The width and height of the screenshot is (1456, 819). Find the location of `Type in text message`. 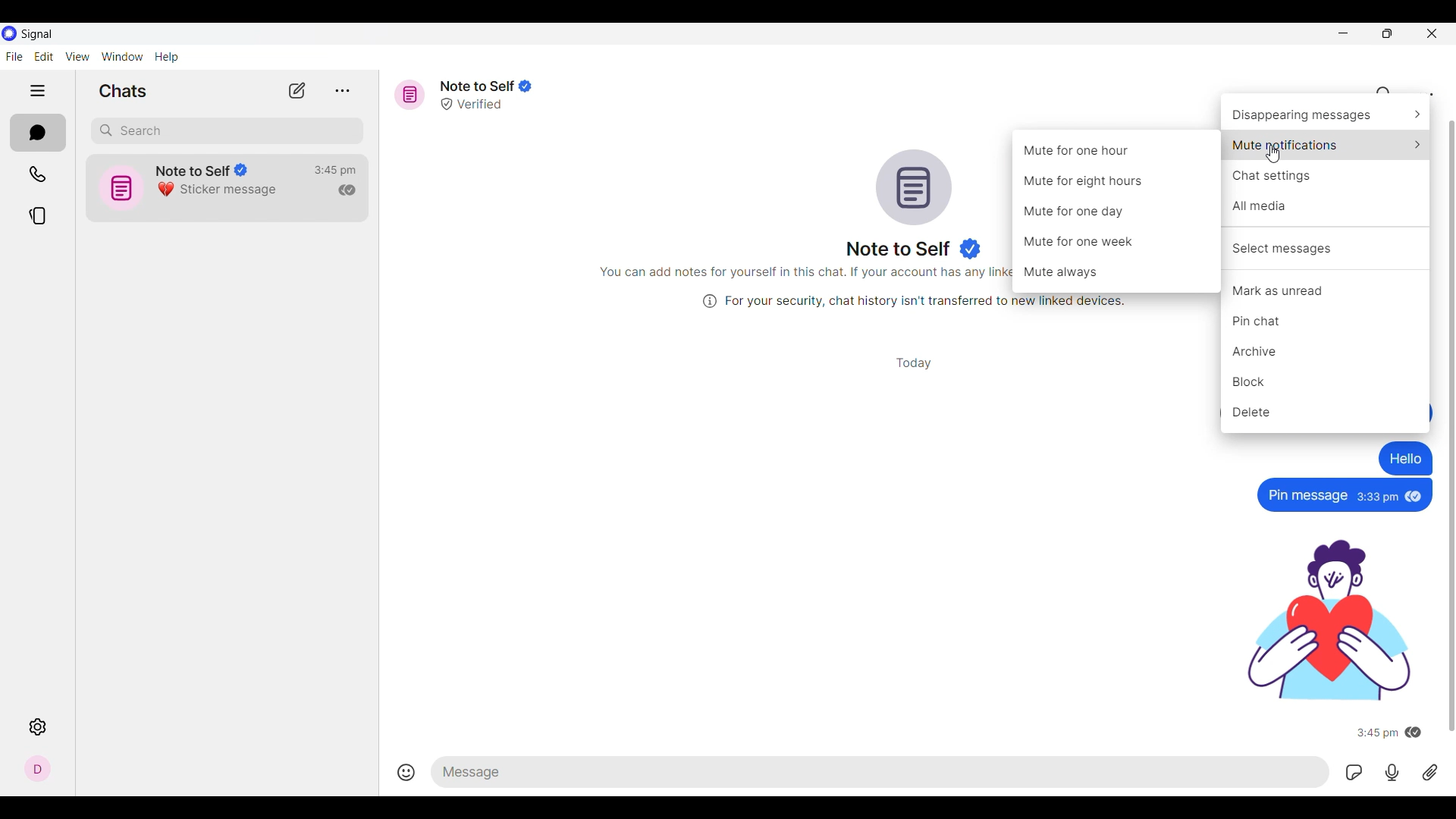

Type in text message is located at coordinates (882, 772).